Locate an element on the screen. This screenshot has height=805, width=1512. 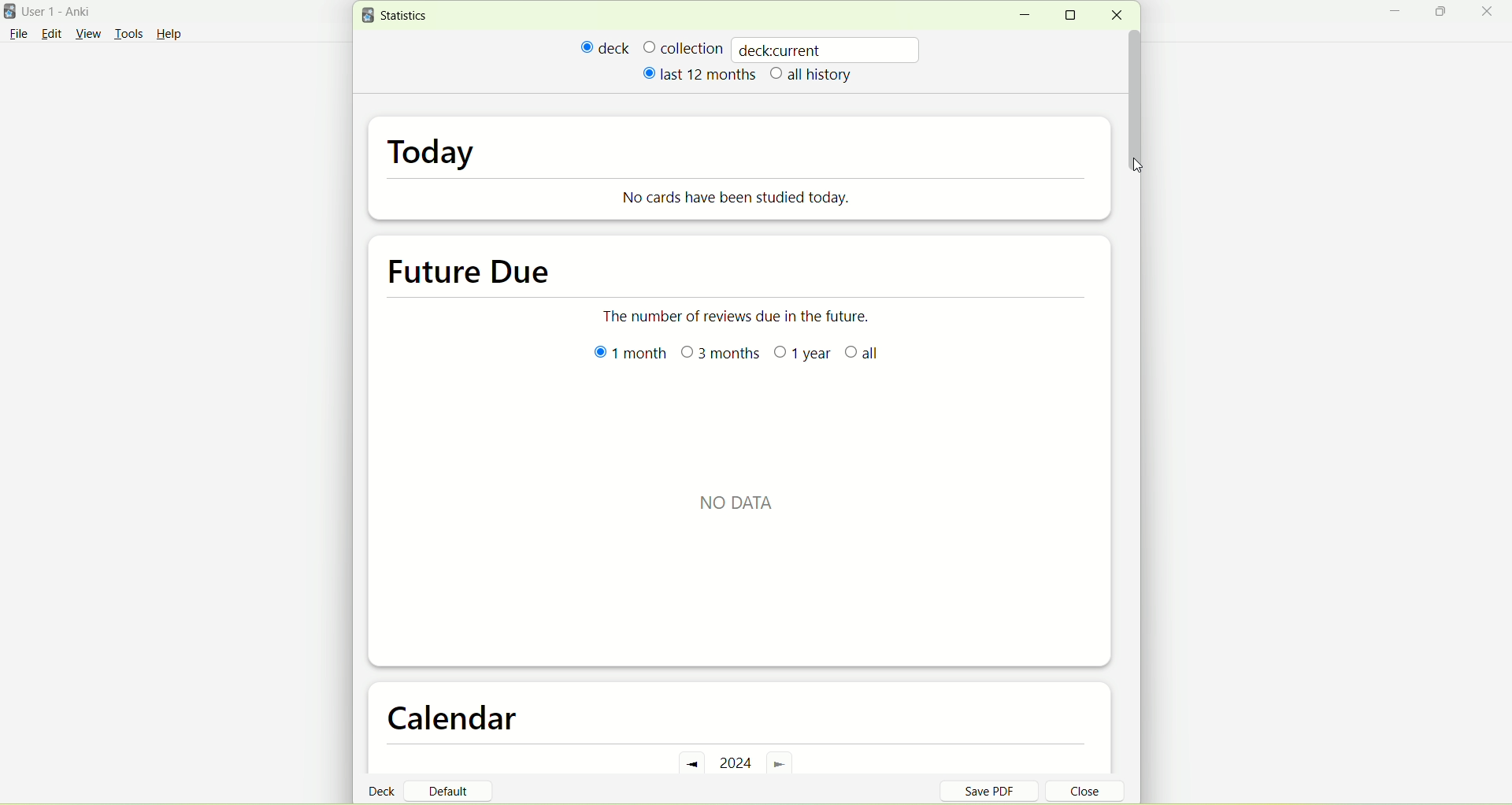
tools is located at coordinates (128, 35).